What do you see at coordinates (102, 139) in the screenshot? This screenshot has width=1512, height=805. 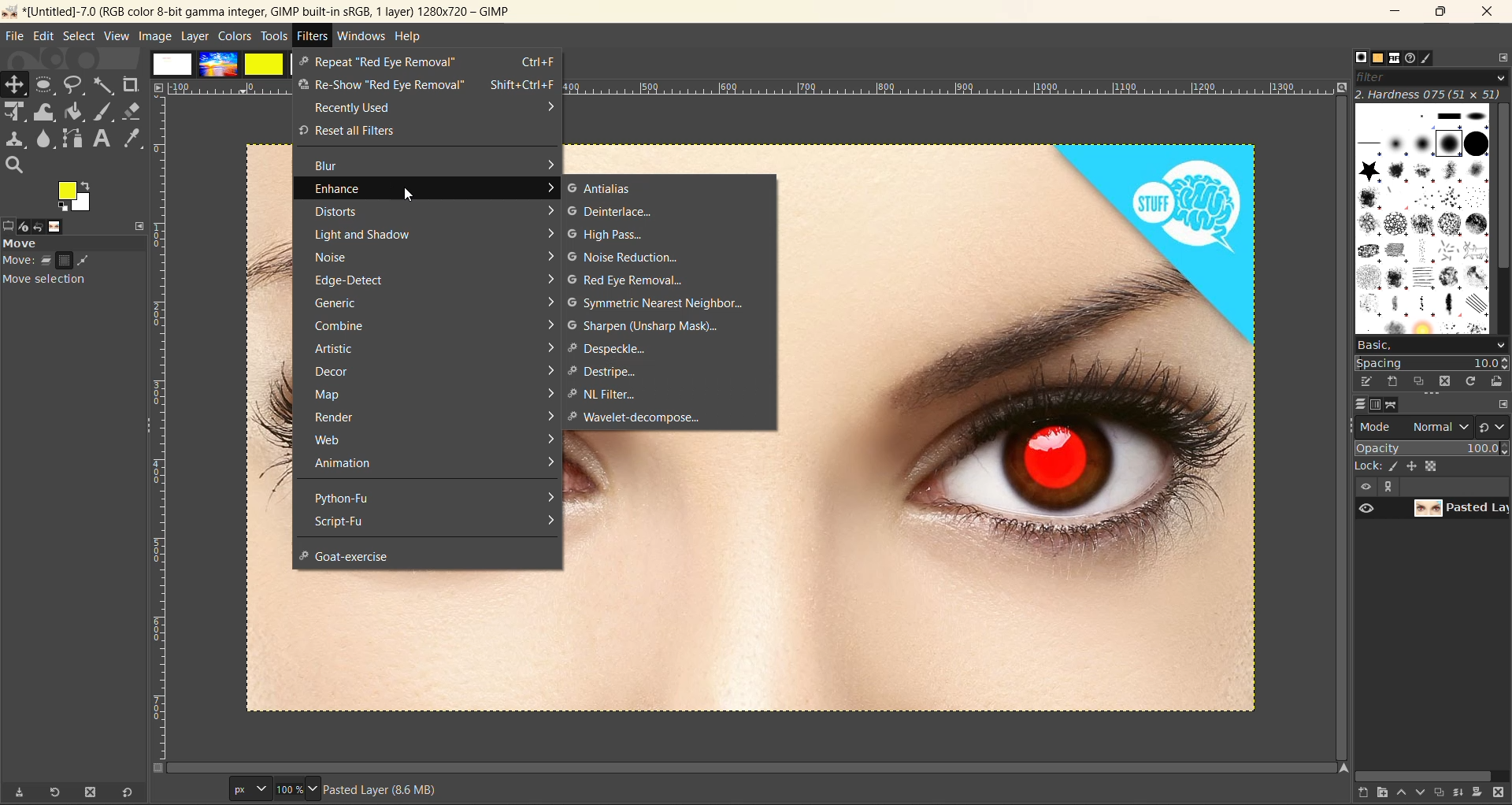 I see `text tool` at bounding box center [102, 139].